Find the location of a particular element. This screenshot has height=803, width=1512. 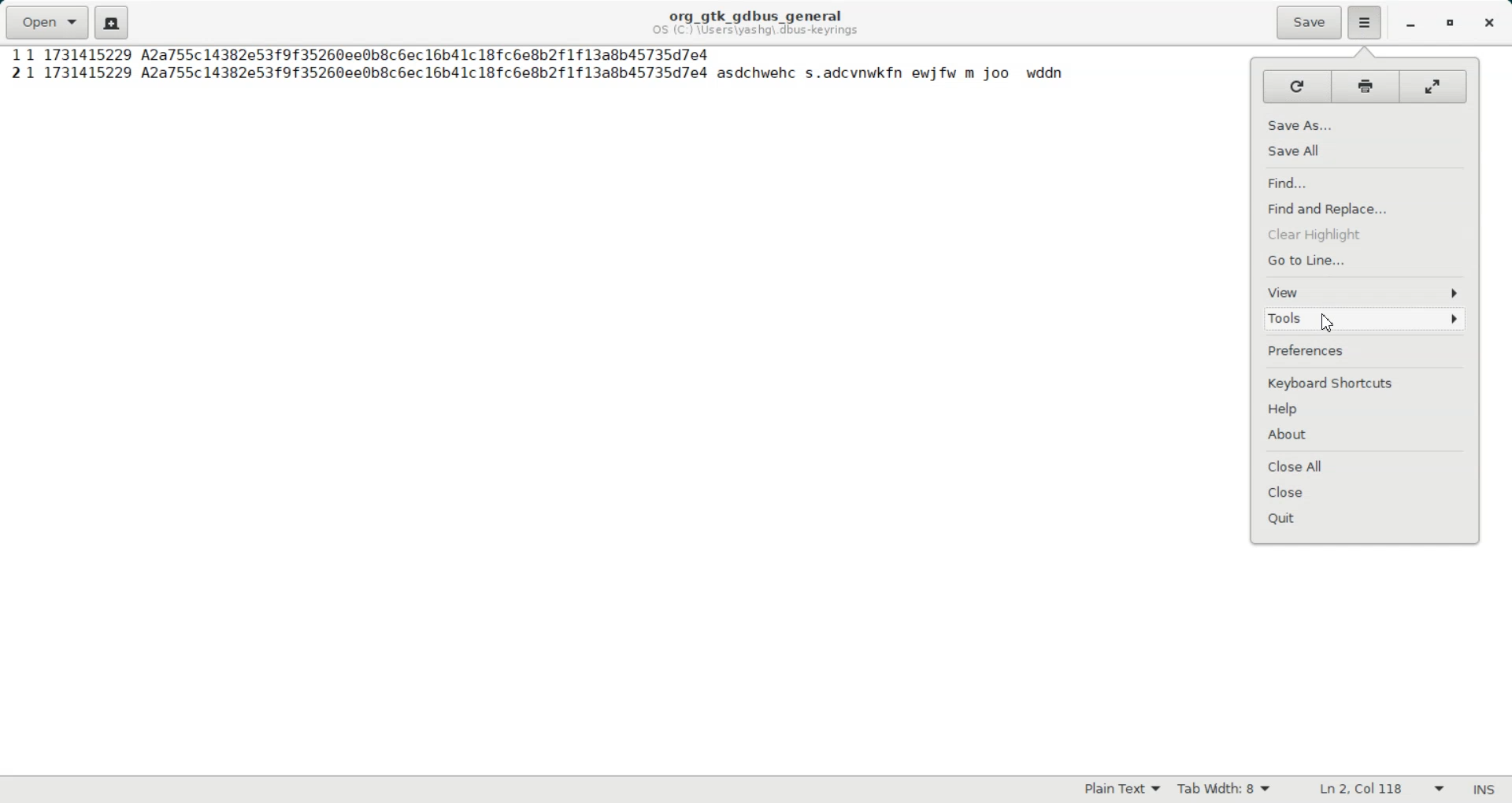

Create a new document is located at coordinates (111, 23).